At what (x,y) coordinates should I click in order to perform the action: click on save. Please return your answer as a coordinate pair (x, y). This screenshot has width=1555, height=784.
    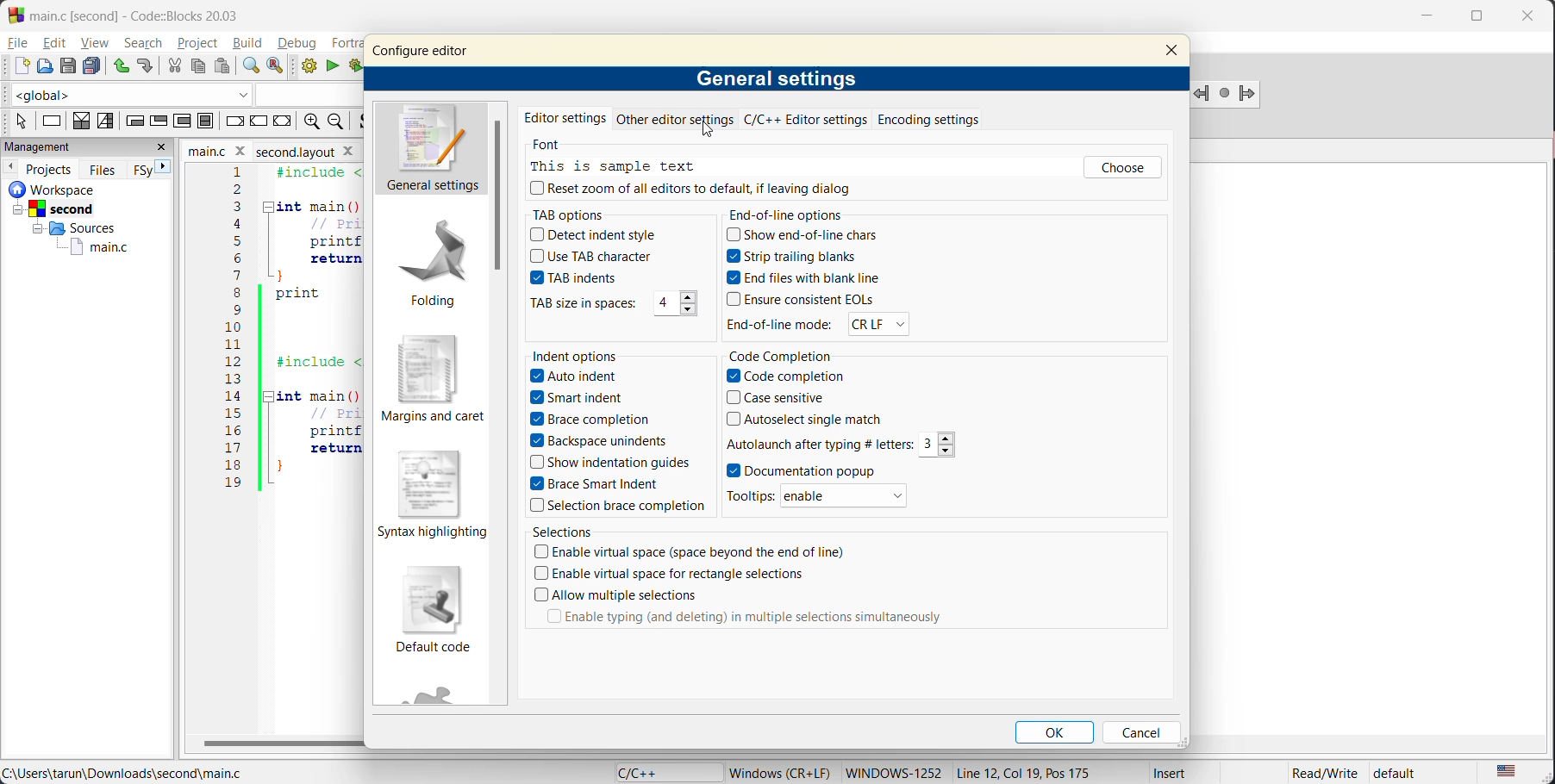
    Looking at the image, I should click on (66, 65).